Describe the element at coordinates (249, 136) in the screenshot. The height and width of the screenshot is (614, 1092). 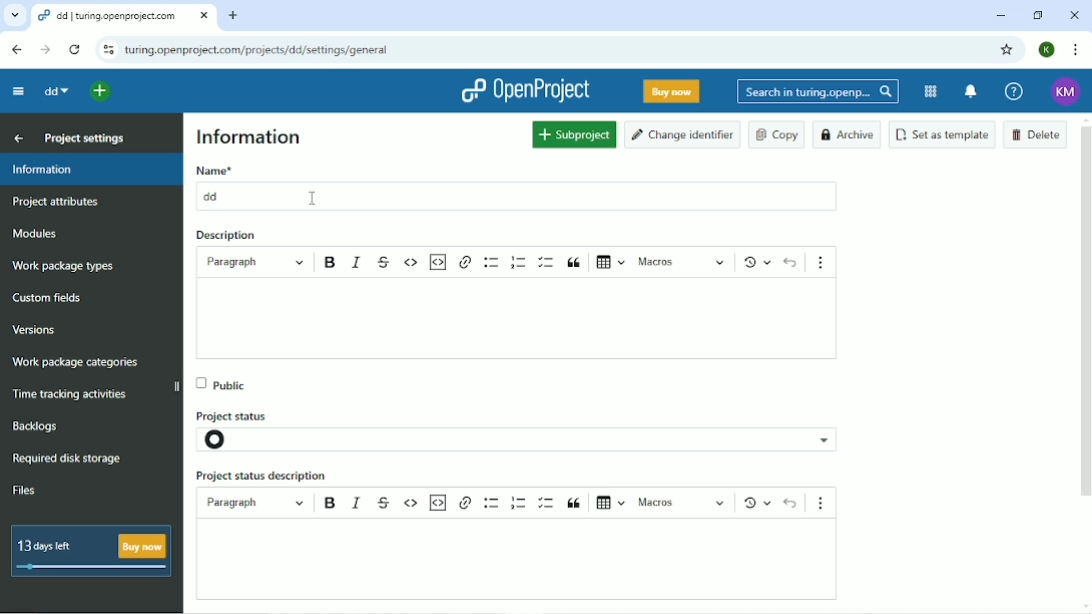
I see `Information` at that location.